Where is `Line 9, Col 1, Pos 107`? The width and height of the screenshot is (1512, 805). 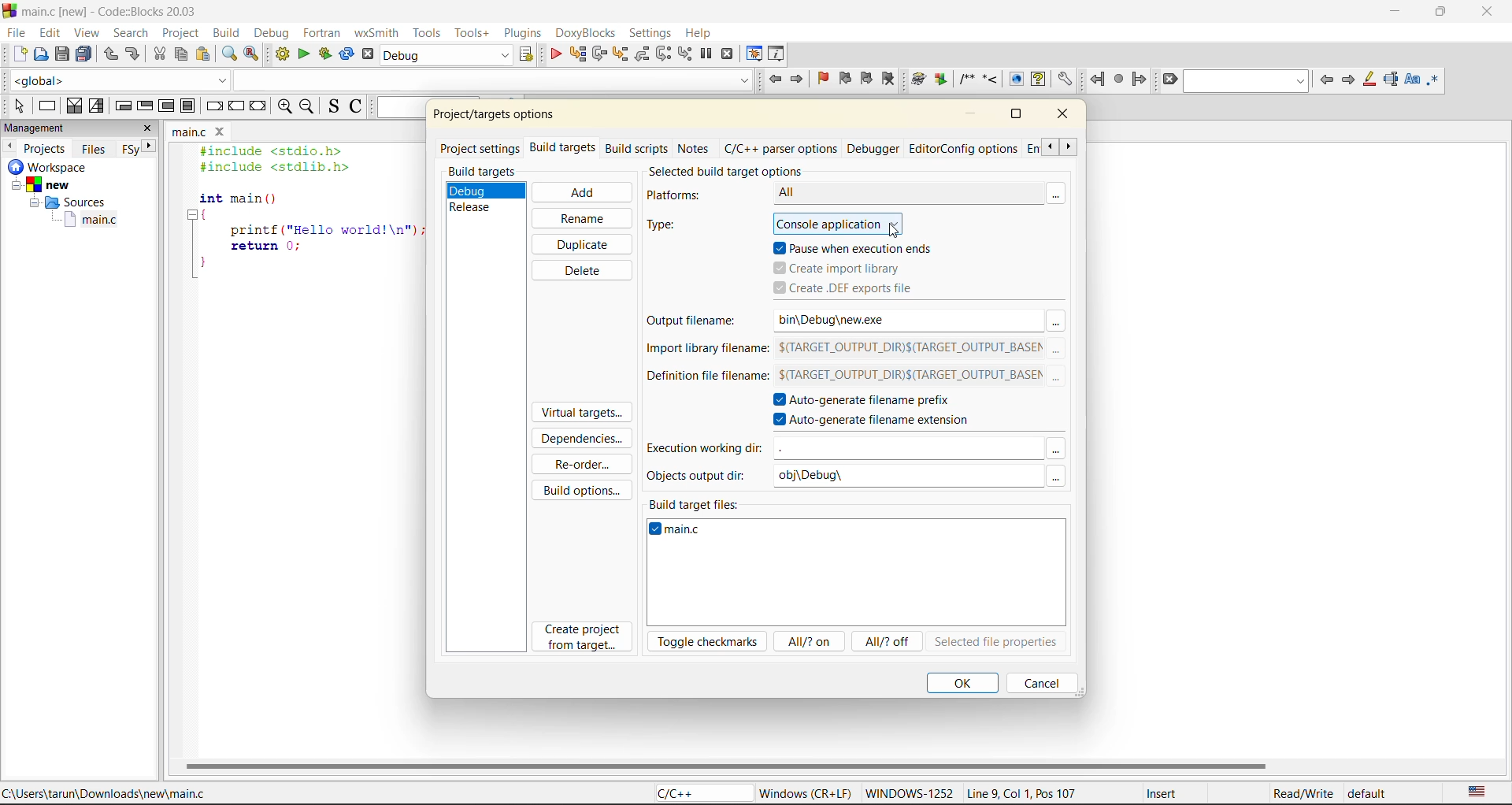
Line 9, Col 1, Pos 107 is located at coordinates (1044, 792).